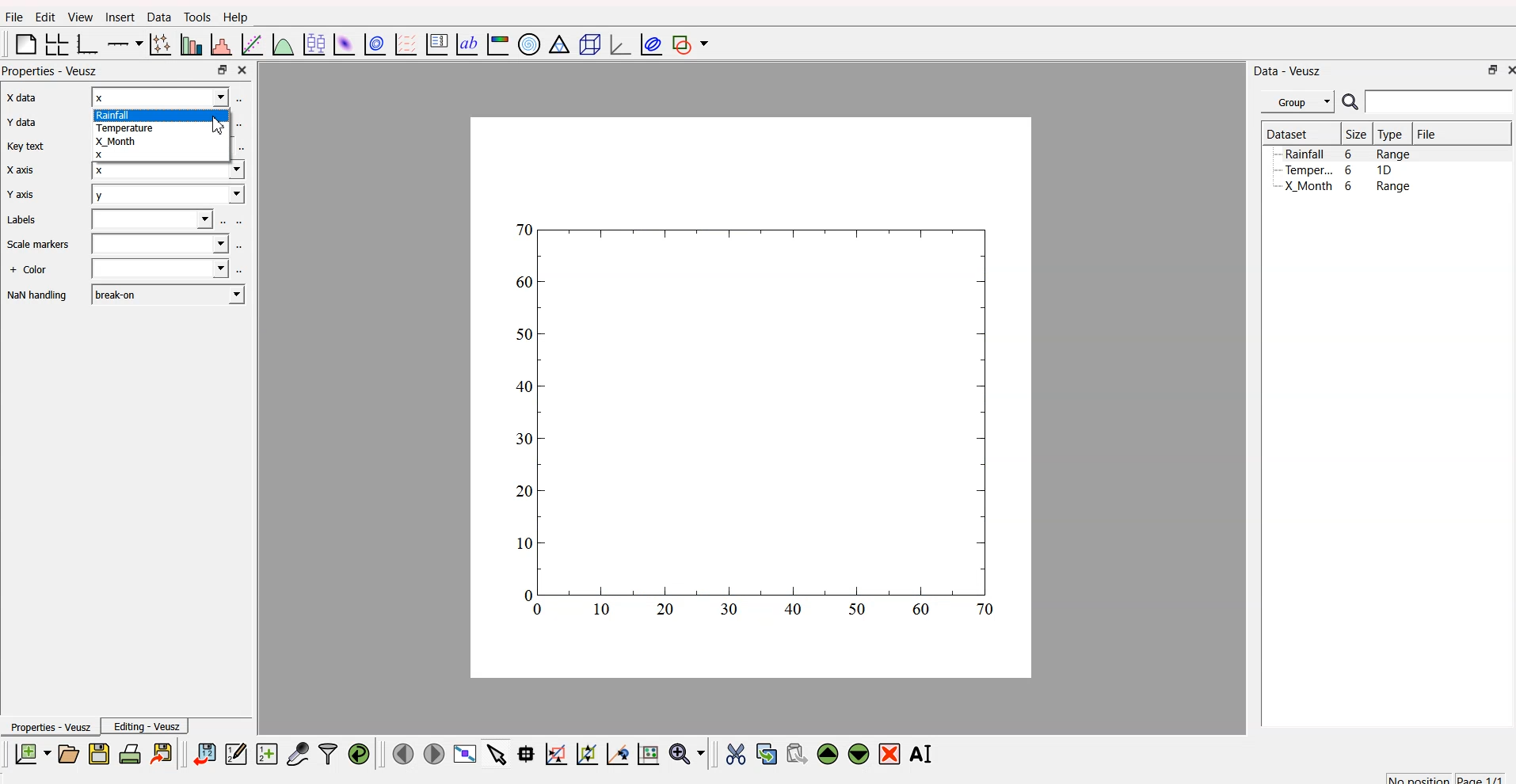 The width and height of the screenshot is (1516, 784). I want to click on File, so click(1428, 134).